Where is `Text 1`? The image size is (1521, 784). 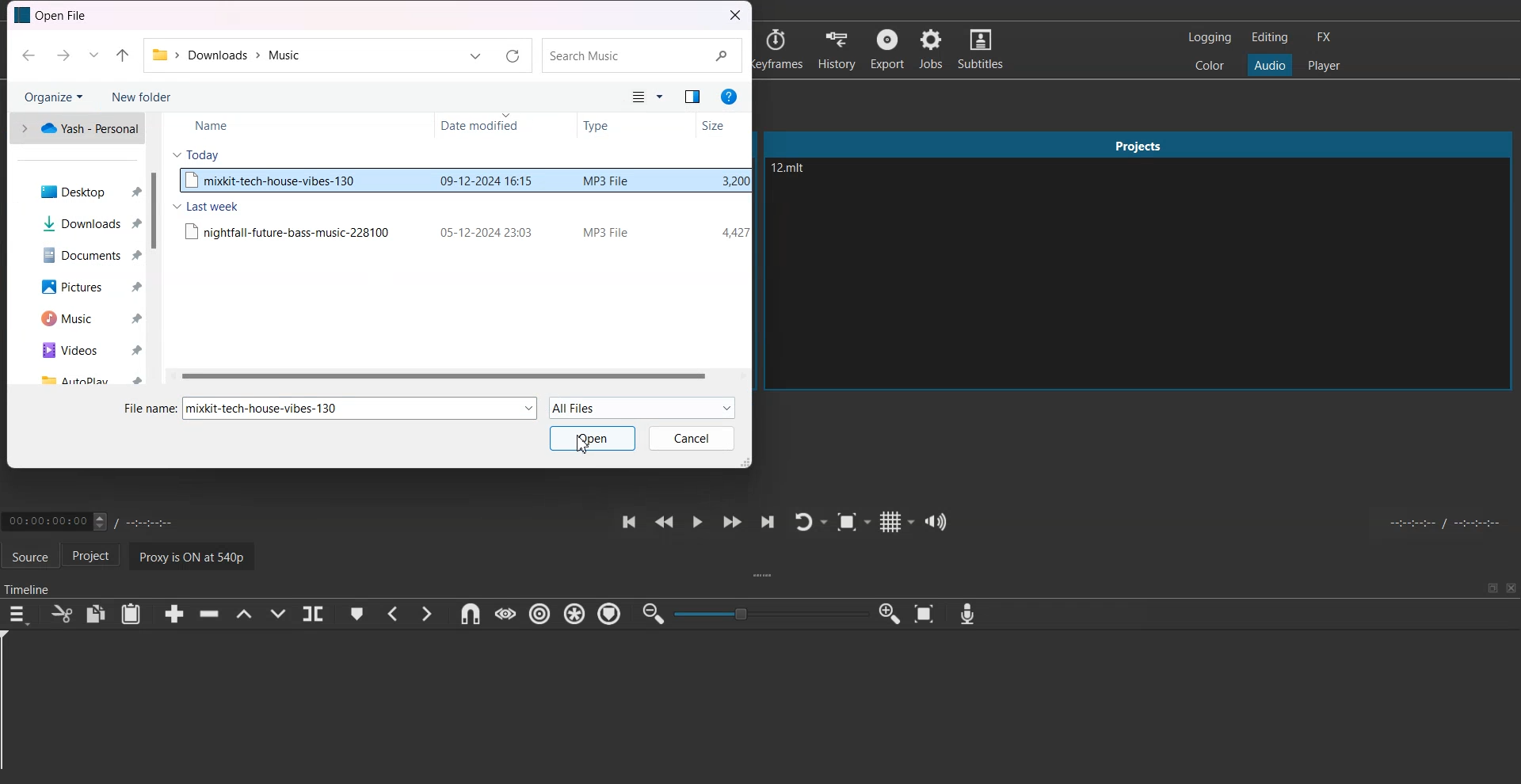
Text 1 is located at coordinates (54, 16).